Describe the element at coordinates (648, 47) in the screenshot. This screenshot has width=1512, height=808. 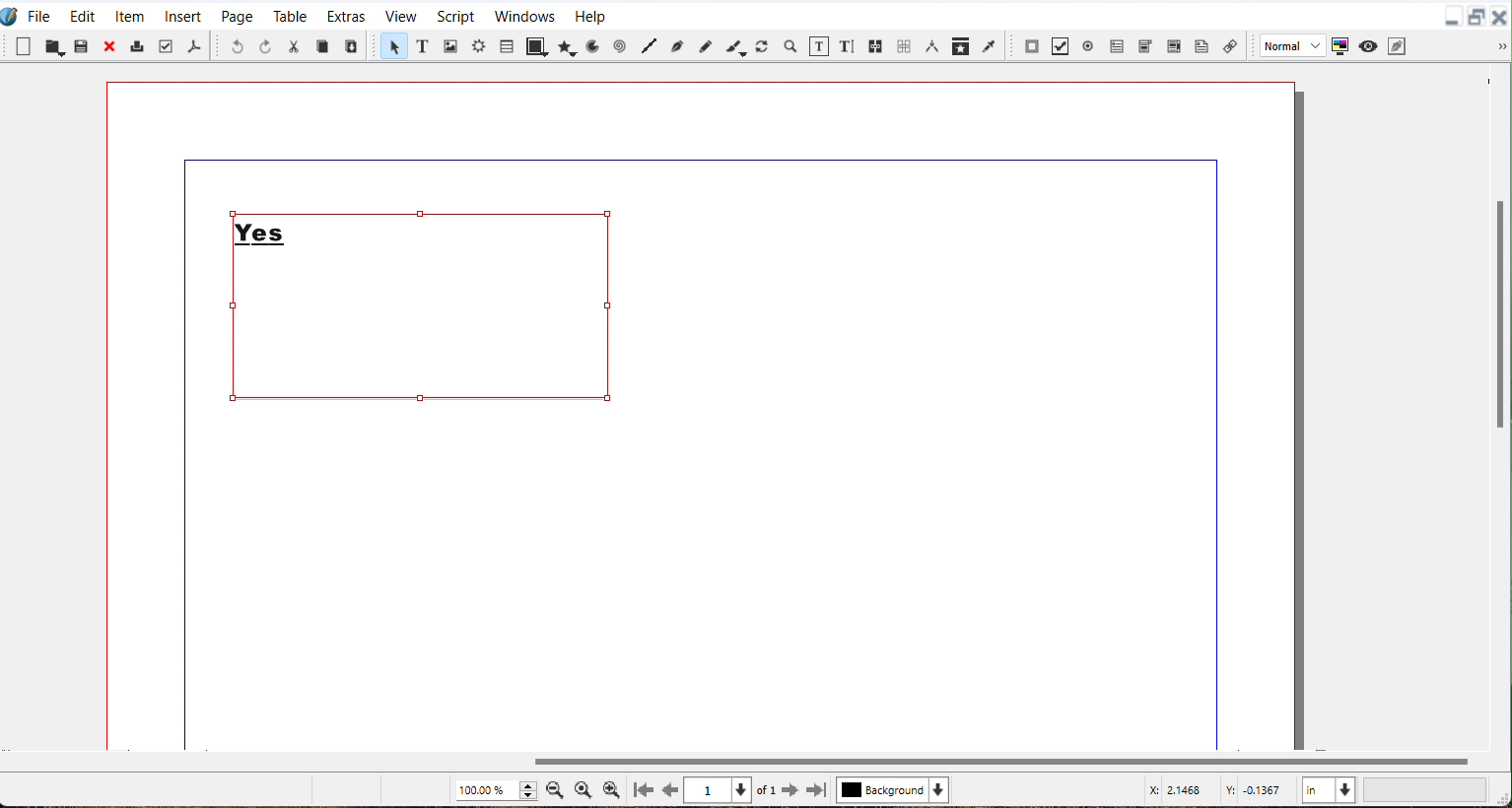
I see `Line` at that location.